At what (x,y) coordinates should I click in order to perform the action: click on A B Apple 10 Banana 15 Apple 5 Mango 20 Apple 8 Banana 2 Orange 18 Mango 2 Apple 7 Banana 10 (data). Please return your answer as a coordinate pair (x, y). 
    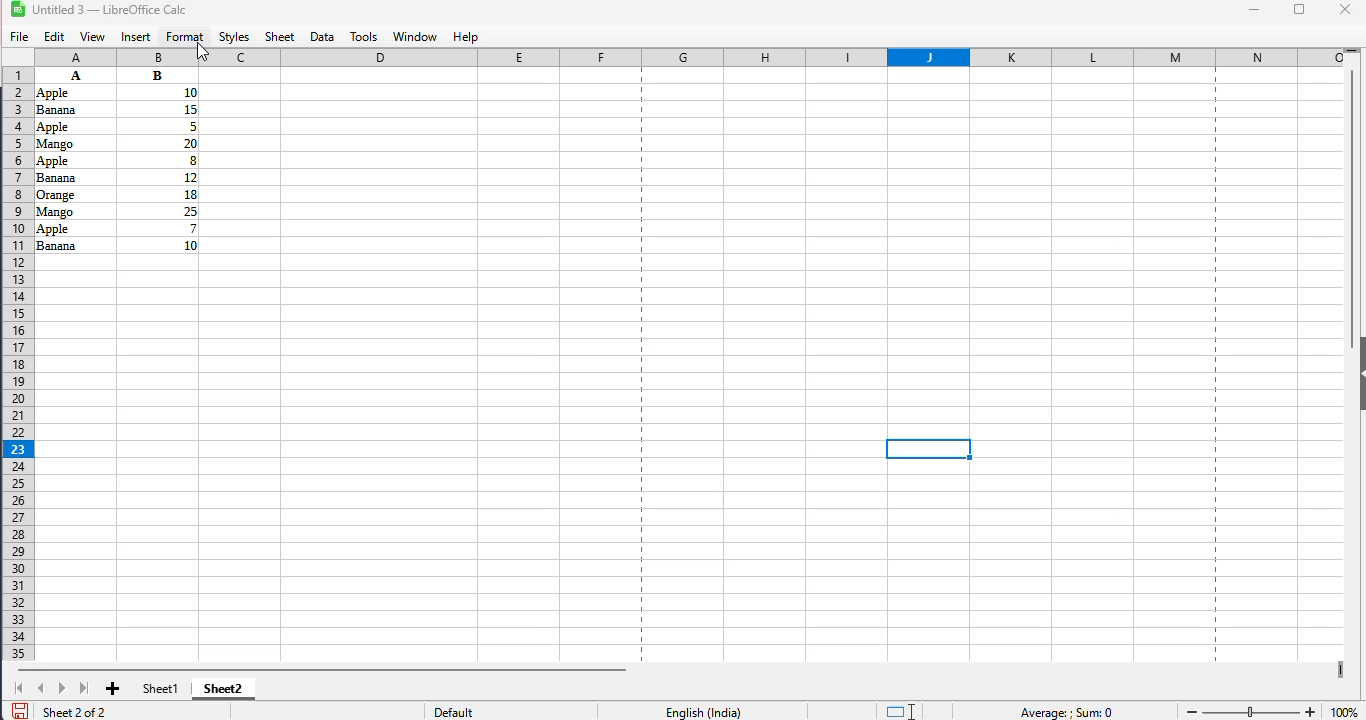
    Looking at the image, I should click on (75, 75).